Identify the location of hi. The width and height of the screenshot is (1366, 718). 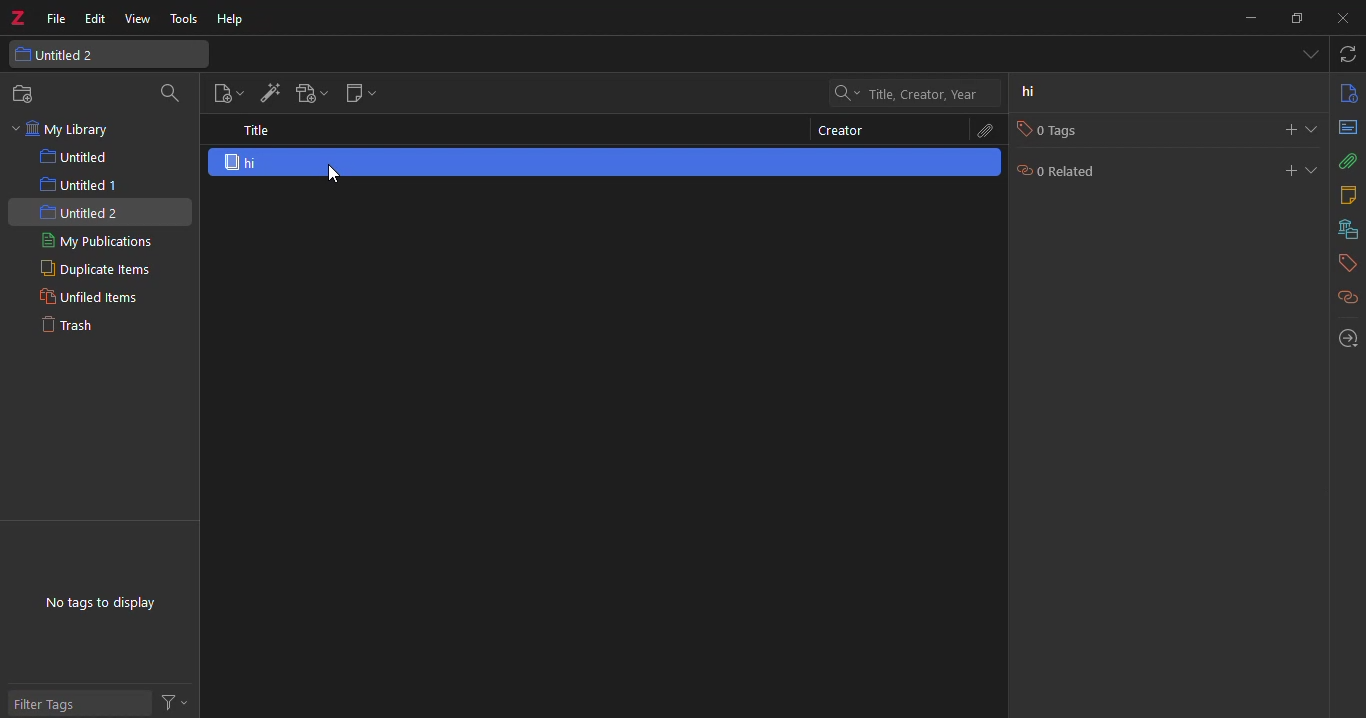
(1029, 92).